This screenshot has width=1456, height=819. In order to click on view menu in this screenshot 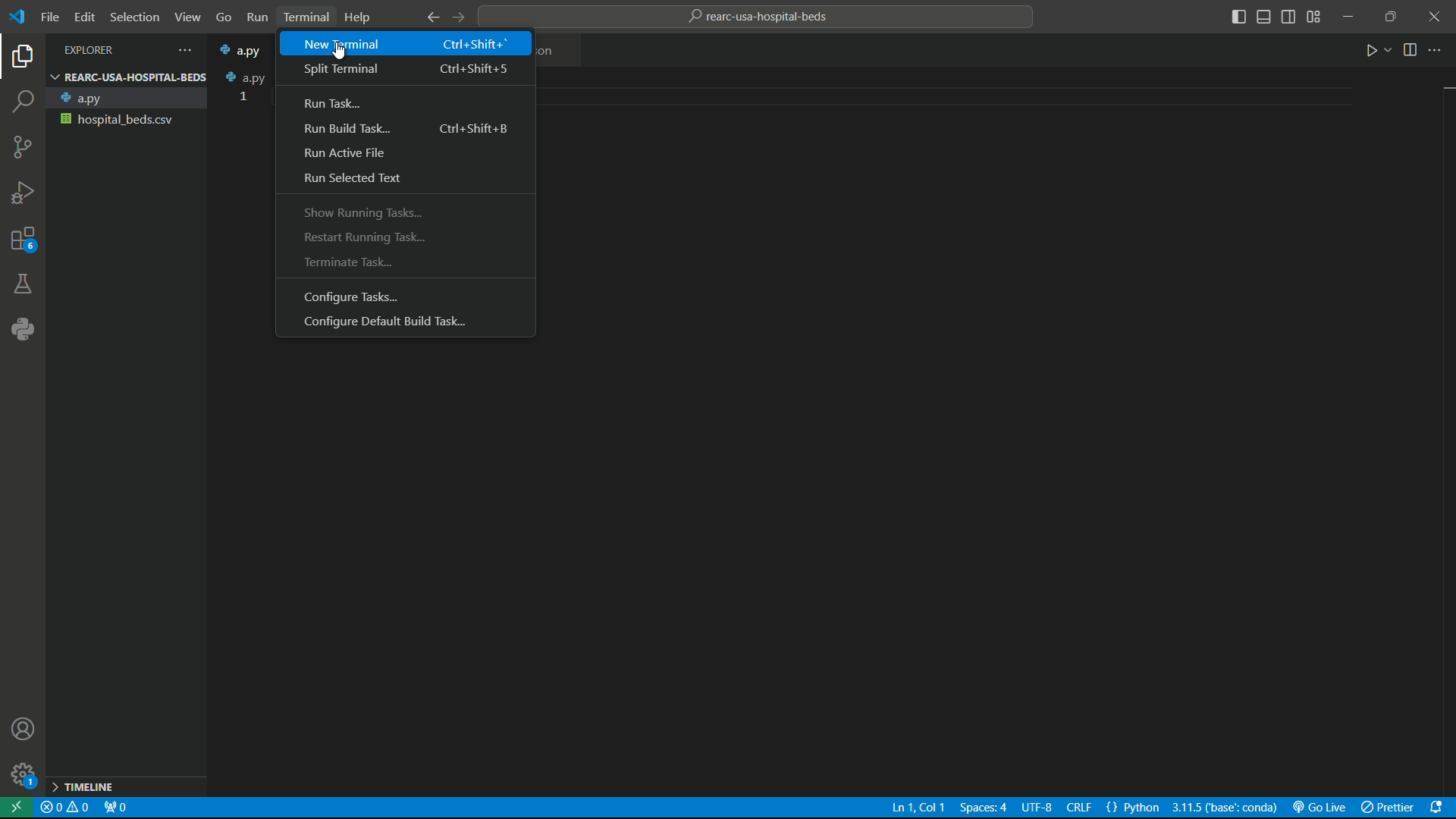, I will do `click(187, 17)`.